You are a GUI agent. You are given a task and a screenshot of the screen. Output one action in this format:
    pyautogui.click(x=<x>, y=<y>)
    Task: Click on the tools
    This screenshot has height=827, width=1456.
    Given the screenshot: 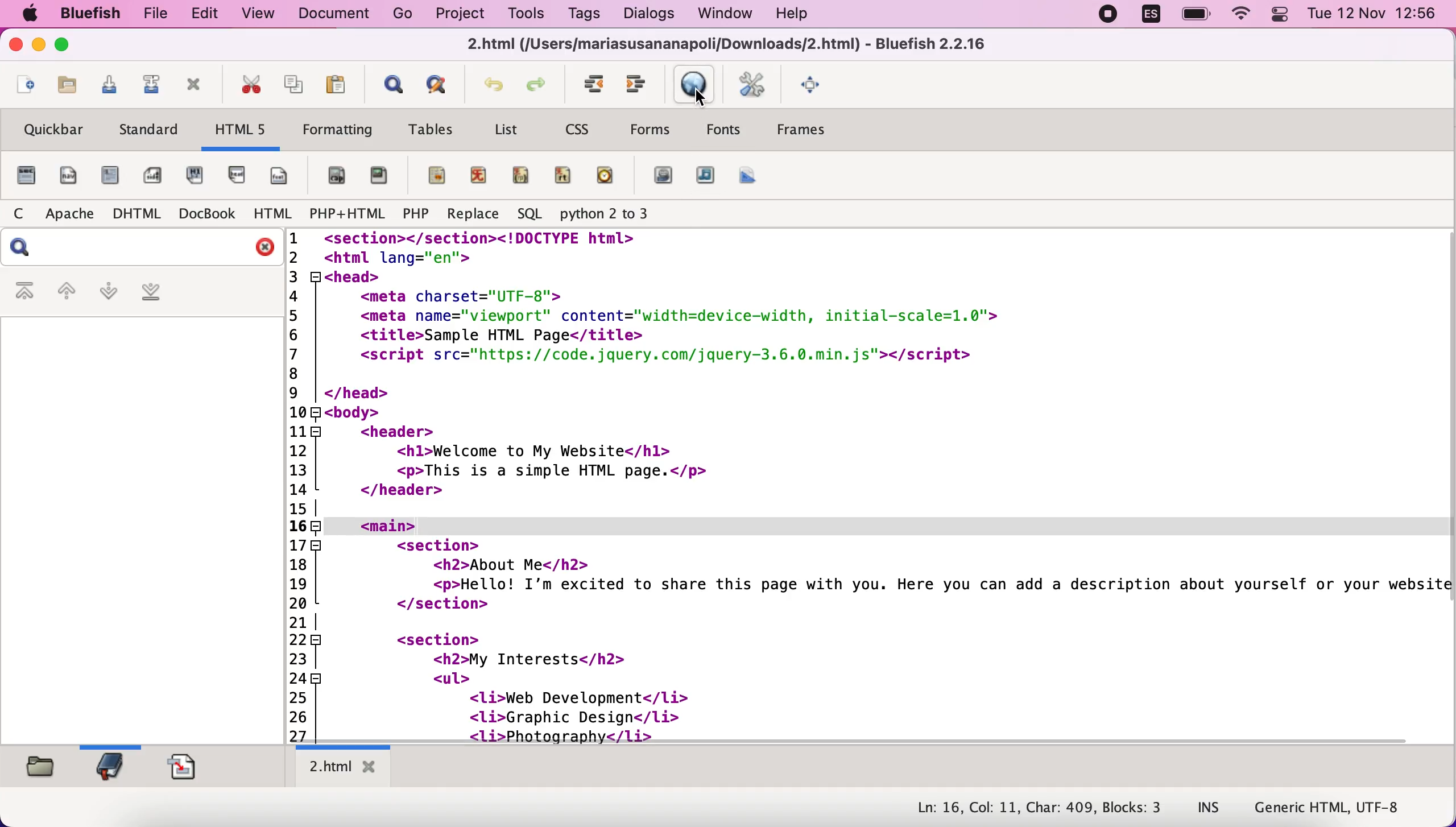 What is the action you would take?
    pyautogui.click(x=531, y=15)
    